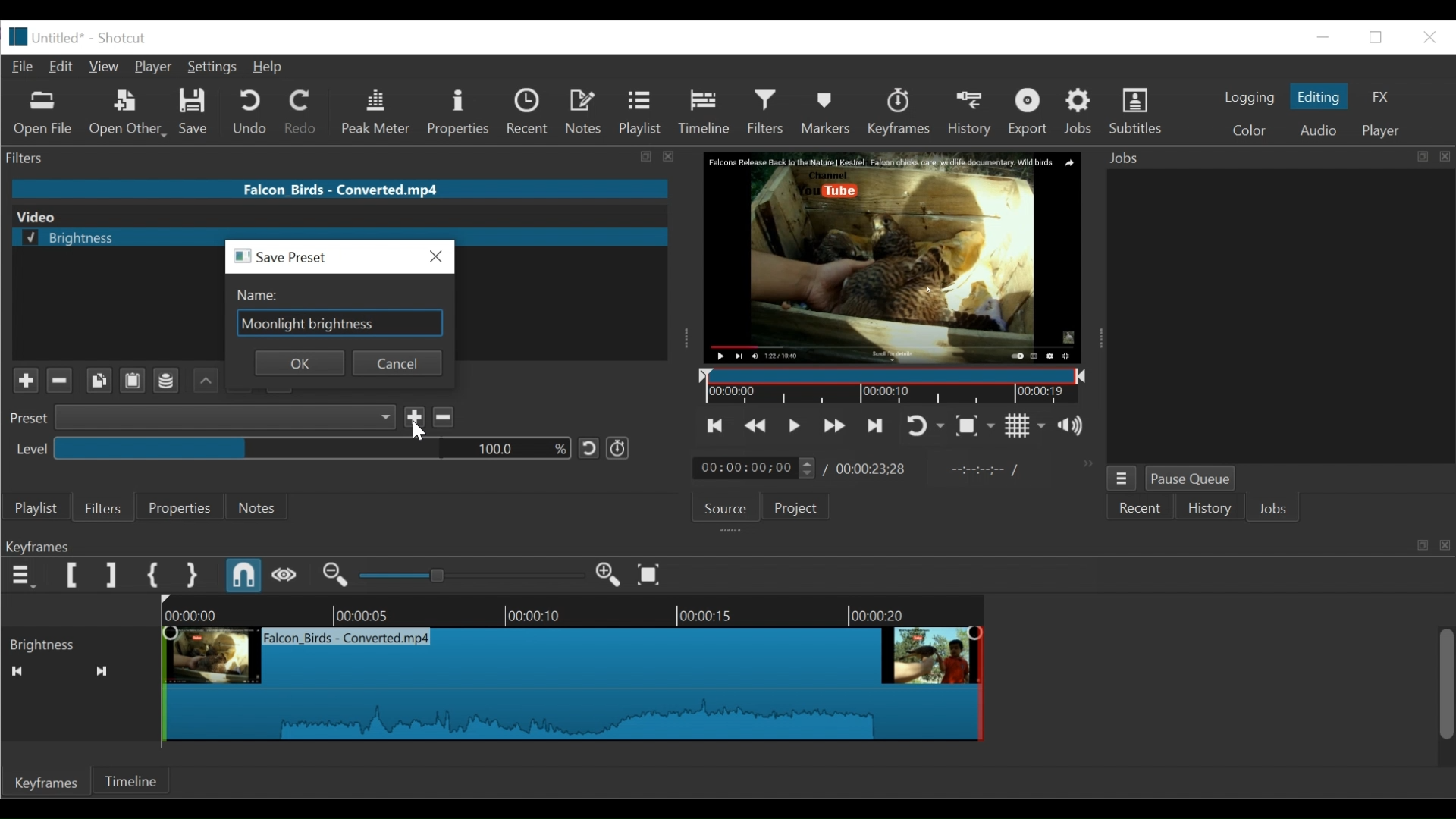  What do you see at coordinates (610, 576) in the screenshot?
I see `Zoom keyframe out ` at bounding box center [610, 576].